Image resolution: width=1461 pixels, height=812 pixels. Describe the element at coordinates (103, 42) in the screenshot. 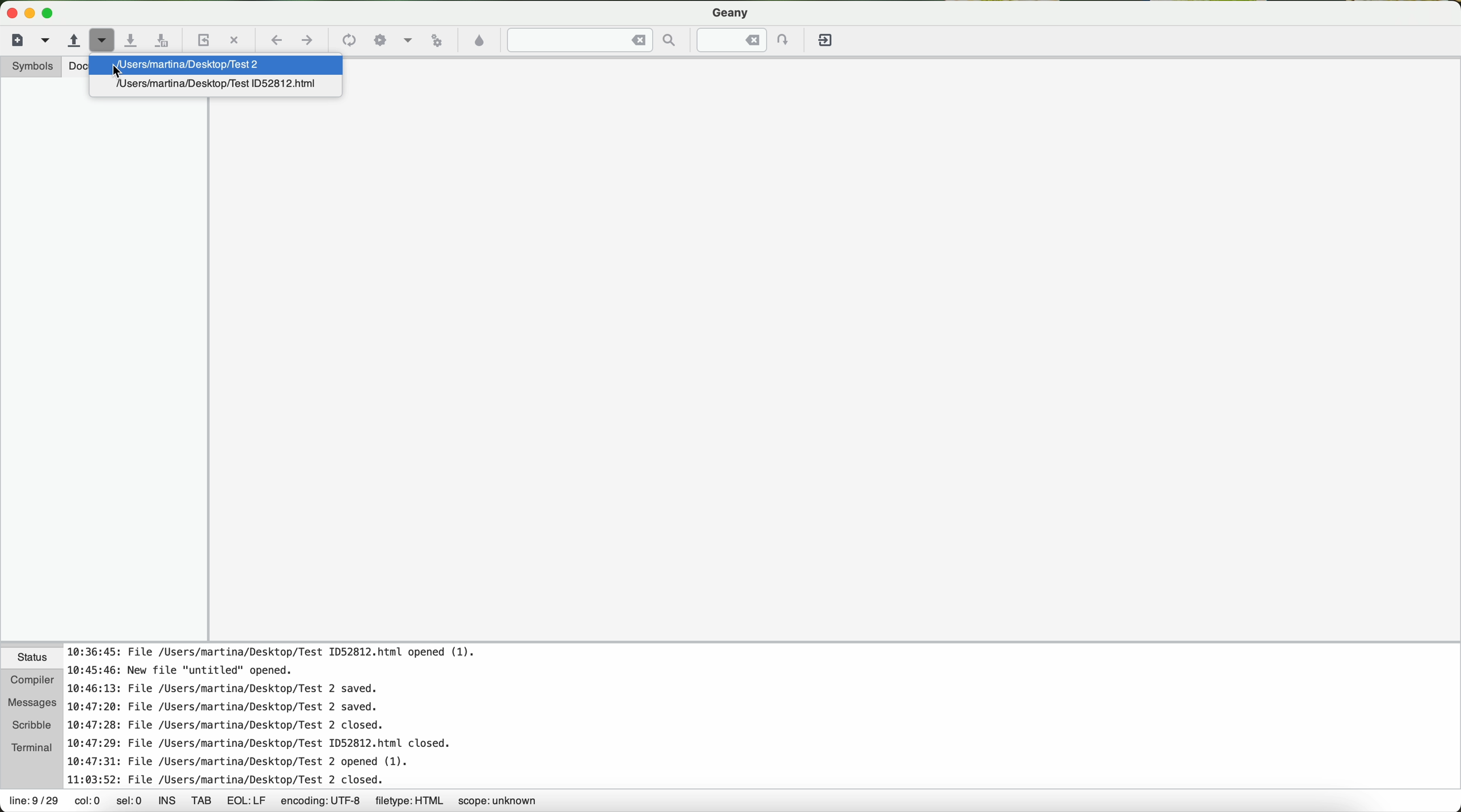

I see `open a recent file` at that location.